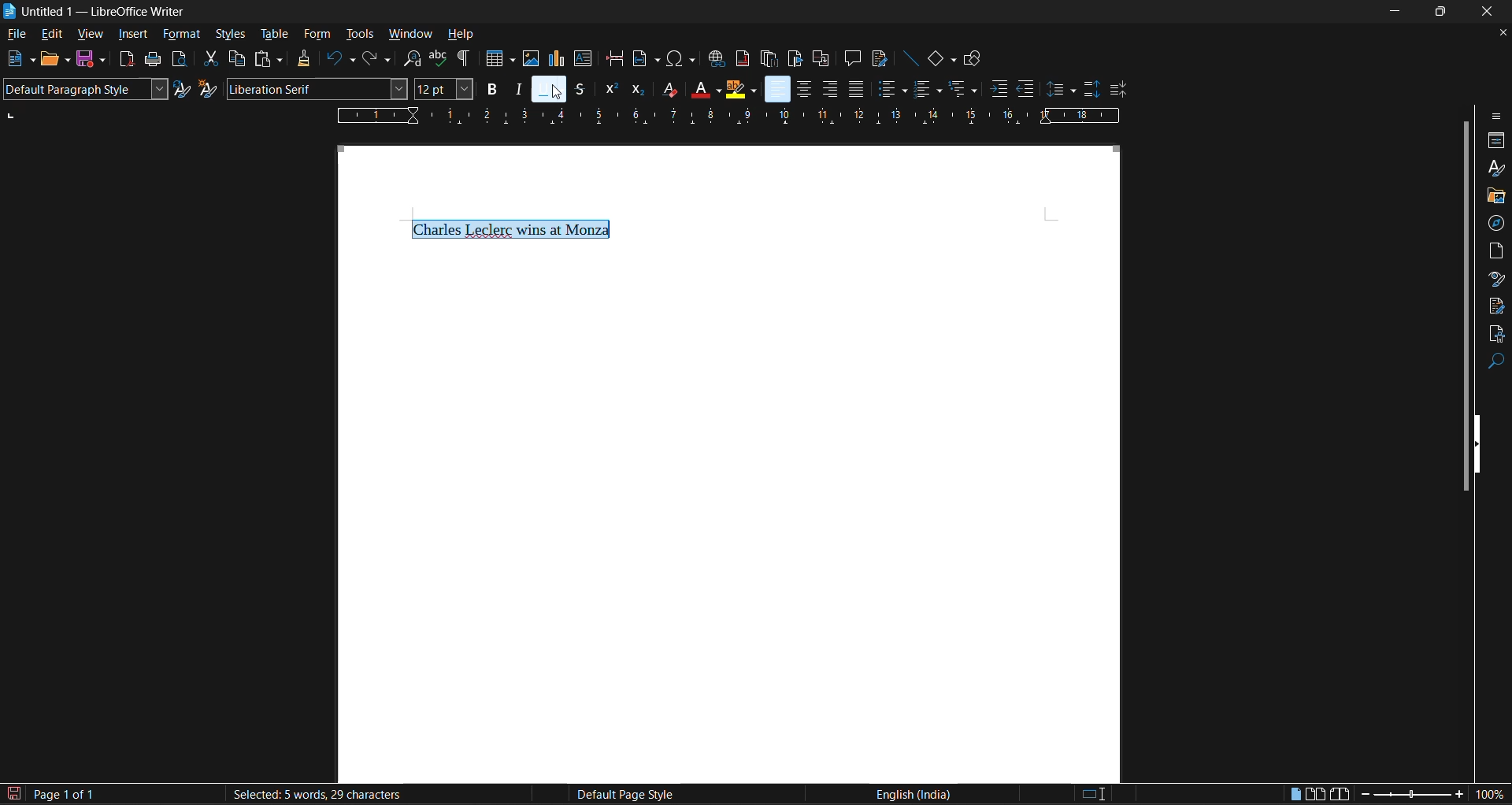 The image size is (1512, 805). What do you see at coordinates (1494, 167) in the screenshot?
I see `styles` at bounding box center [1494, 167].